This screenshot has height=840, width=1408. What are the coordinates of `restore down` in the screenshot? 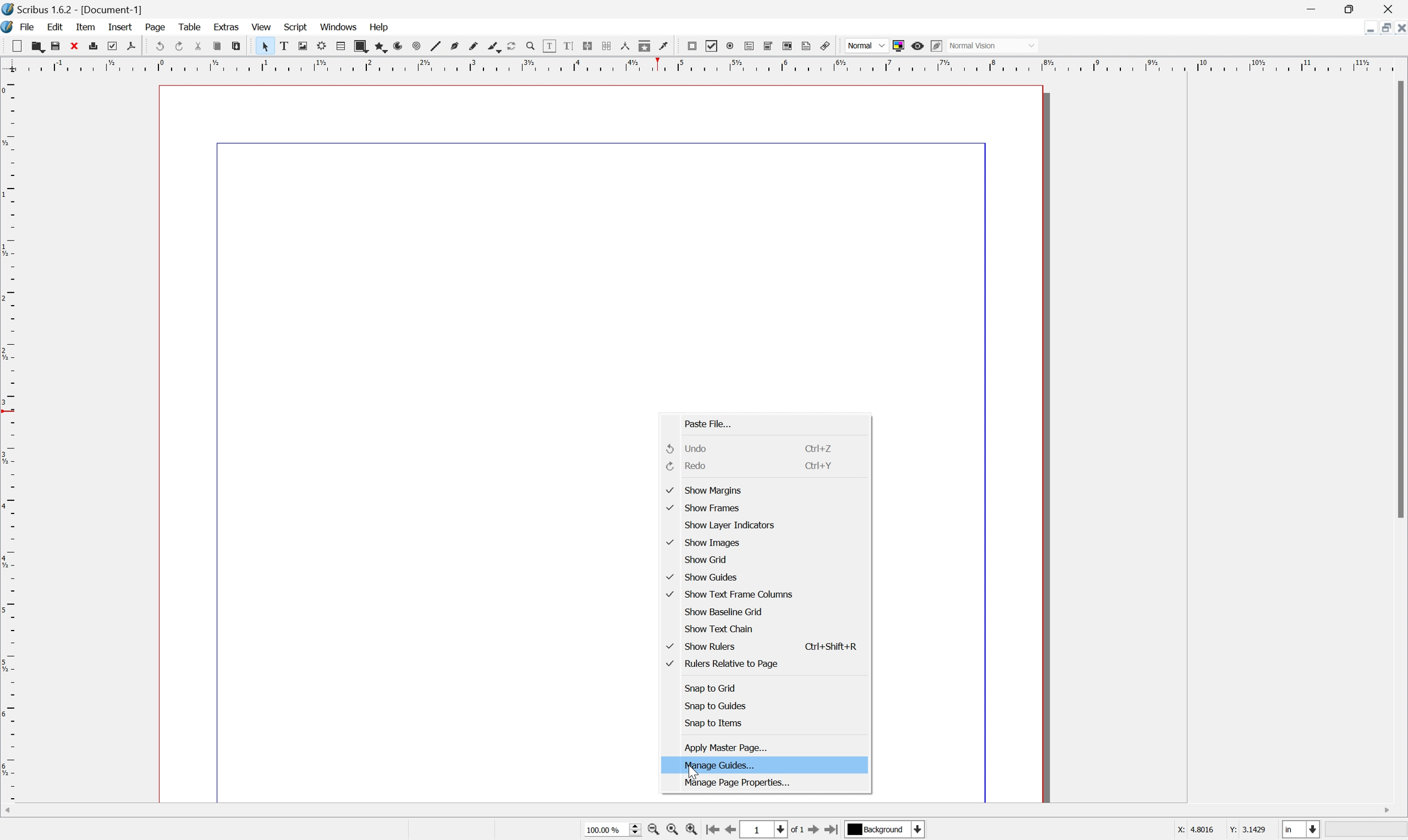 It's located at (1350, 7).